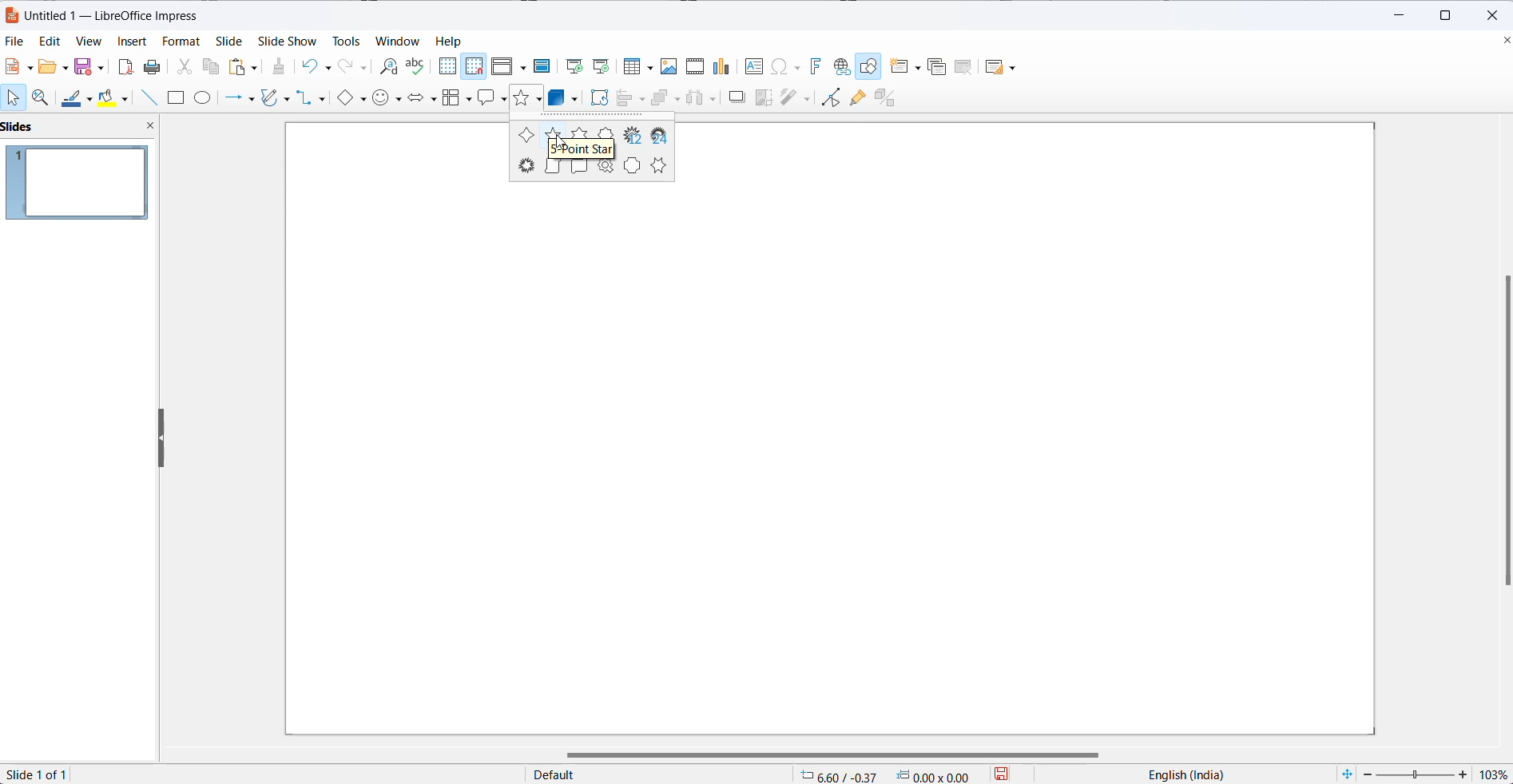 Image resolution: width=1513 pixels, height=784 pixels. Describe the element at coordinates (556, 171) in the screenshot. I see `vertical scroll` at that location.